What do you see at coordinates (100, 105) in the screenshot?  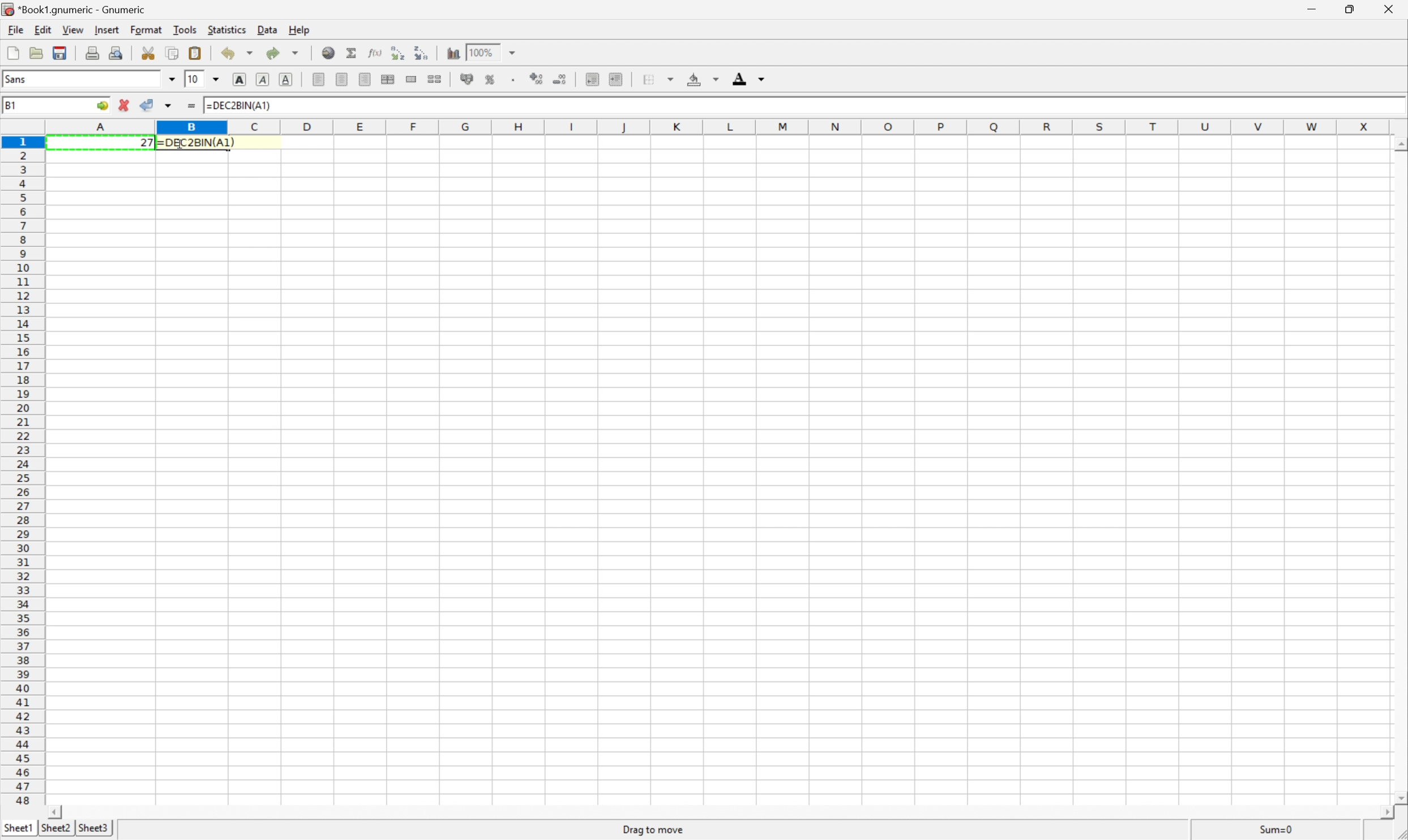 I see `Go to` at bounding box center [100, 105].